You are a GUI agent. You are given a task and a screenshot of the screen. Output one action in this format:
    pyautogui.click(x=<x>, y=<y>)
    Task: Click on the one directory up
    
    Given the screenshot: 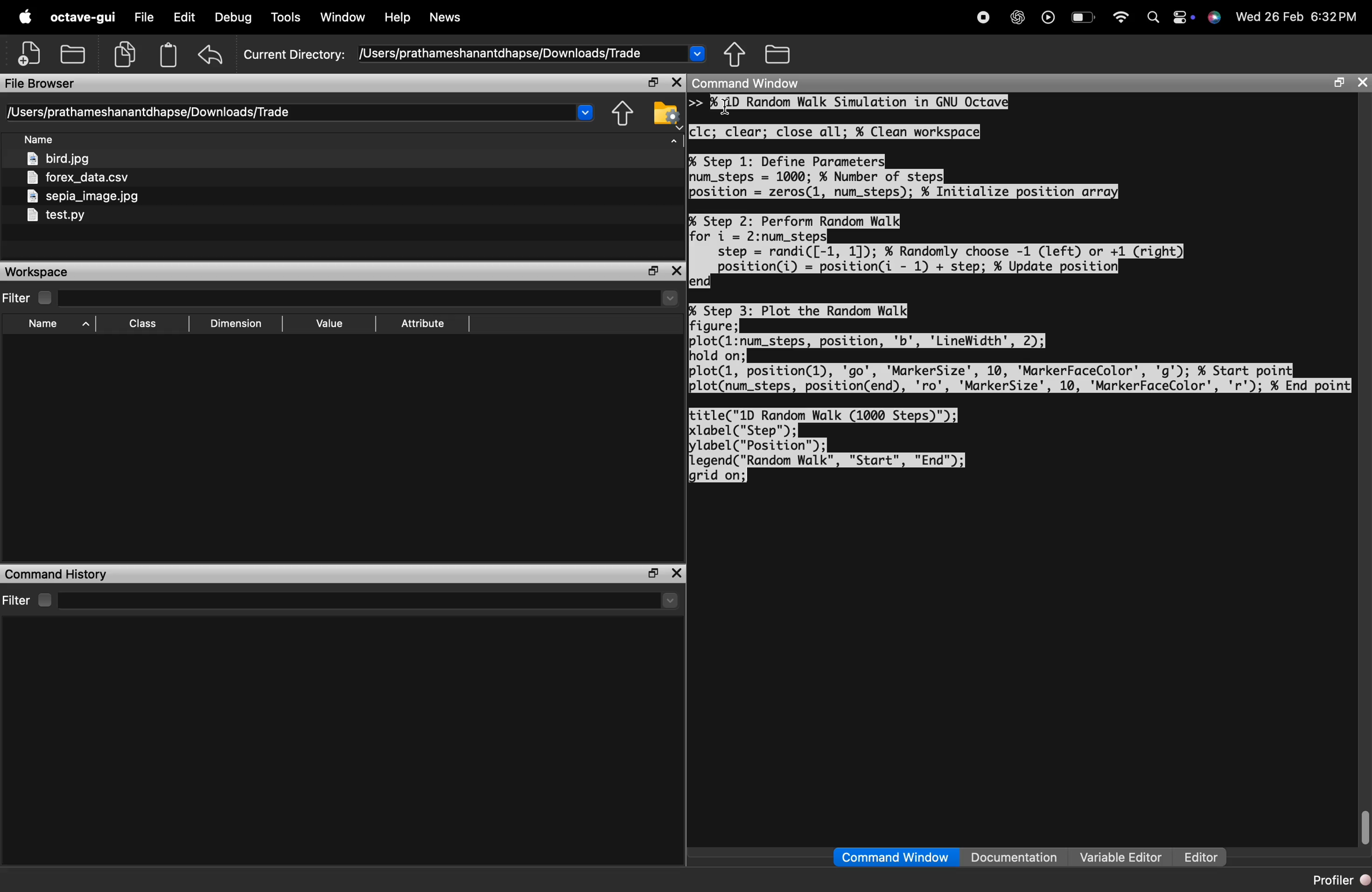 What is the action you would take?
    pyautogui.click(x=625, y=114)
    